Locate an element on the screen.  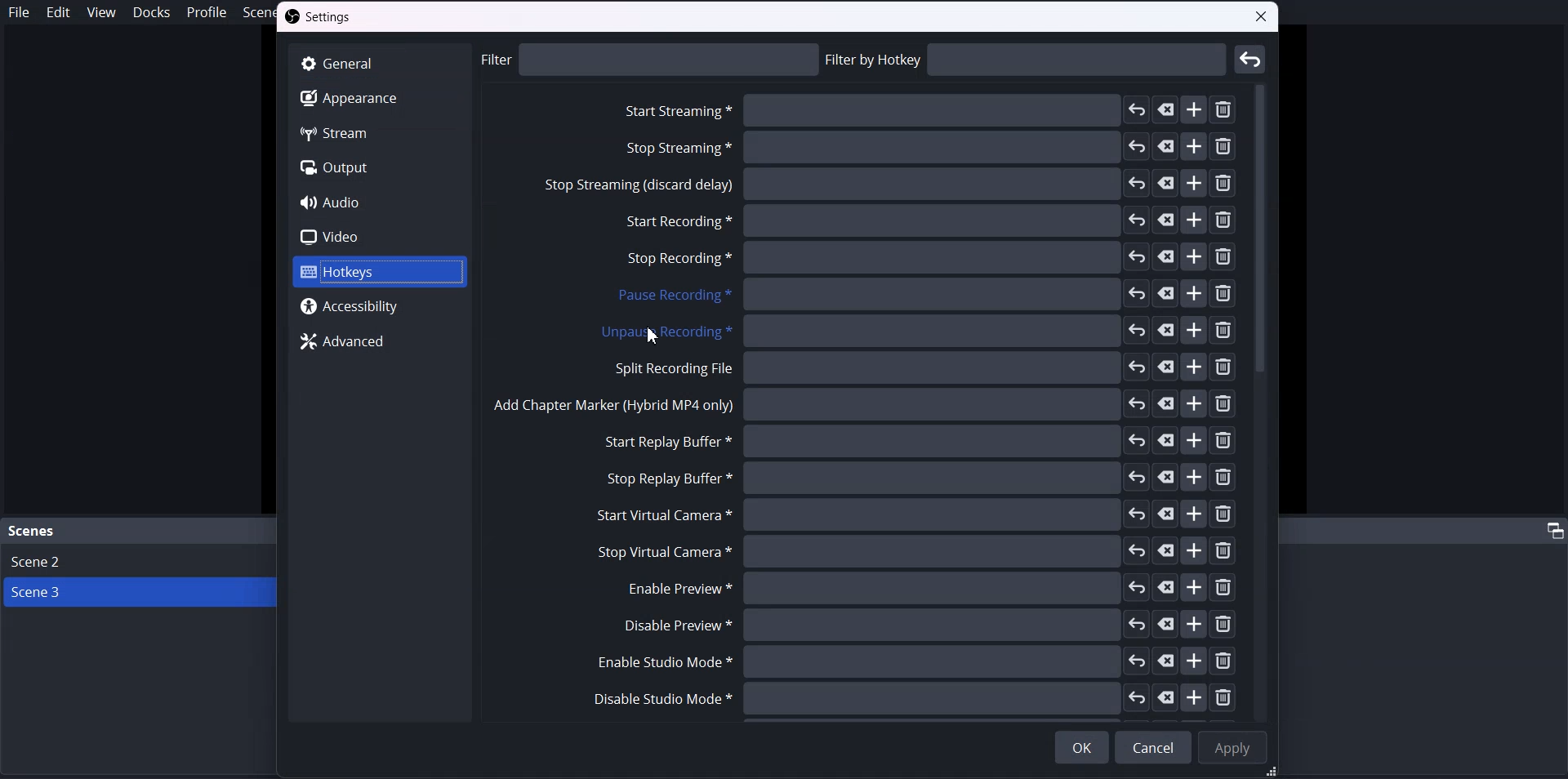
Edit is located at coordinates (58, 12).